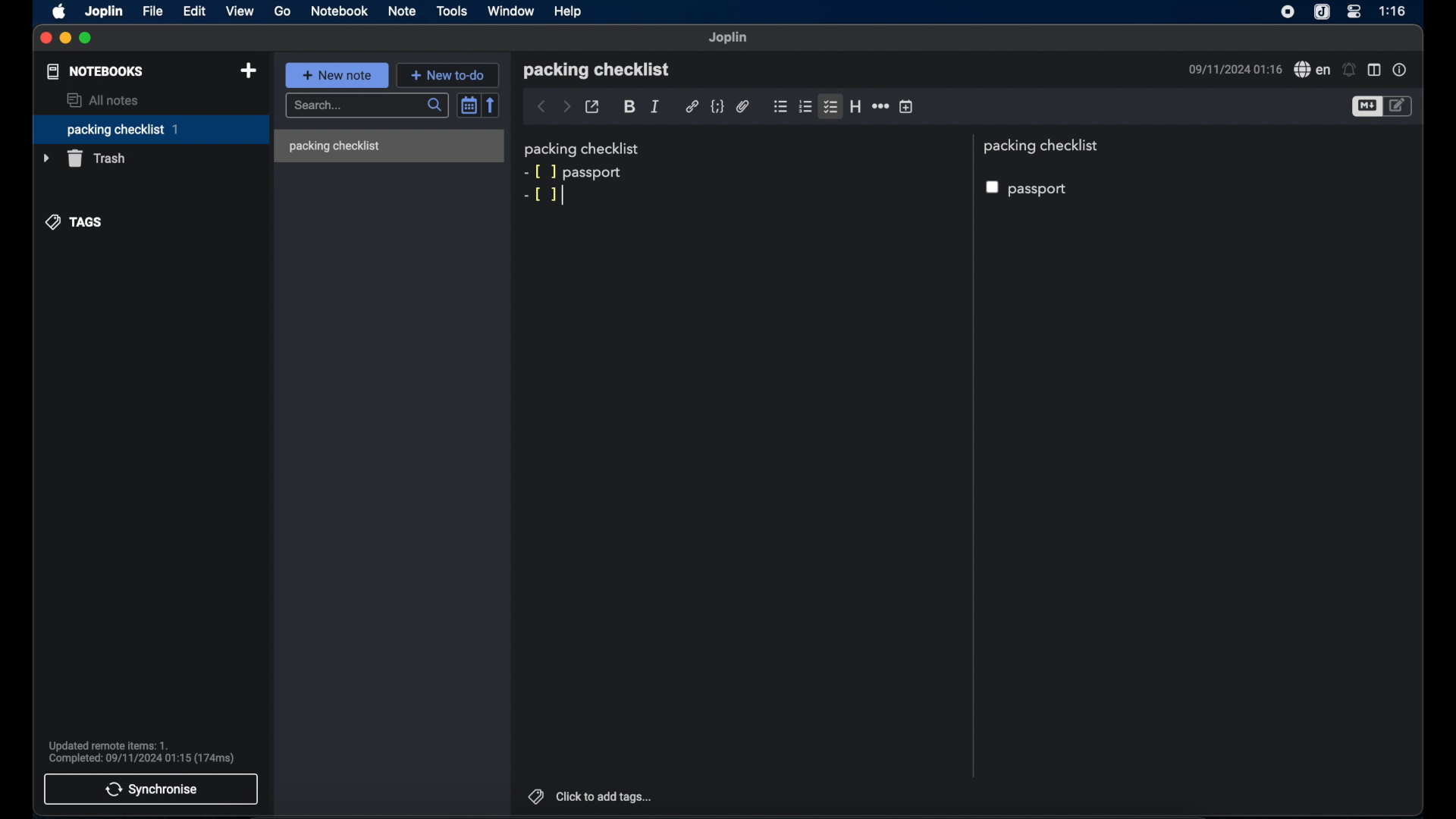 Image resolution: width=1456 pixels, height=819 pixels. I want to click on new notebook, so click(248, 71).